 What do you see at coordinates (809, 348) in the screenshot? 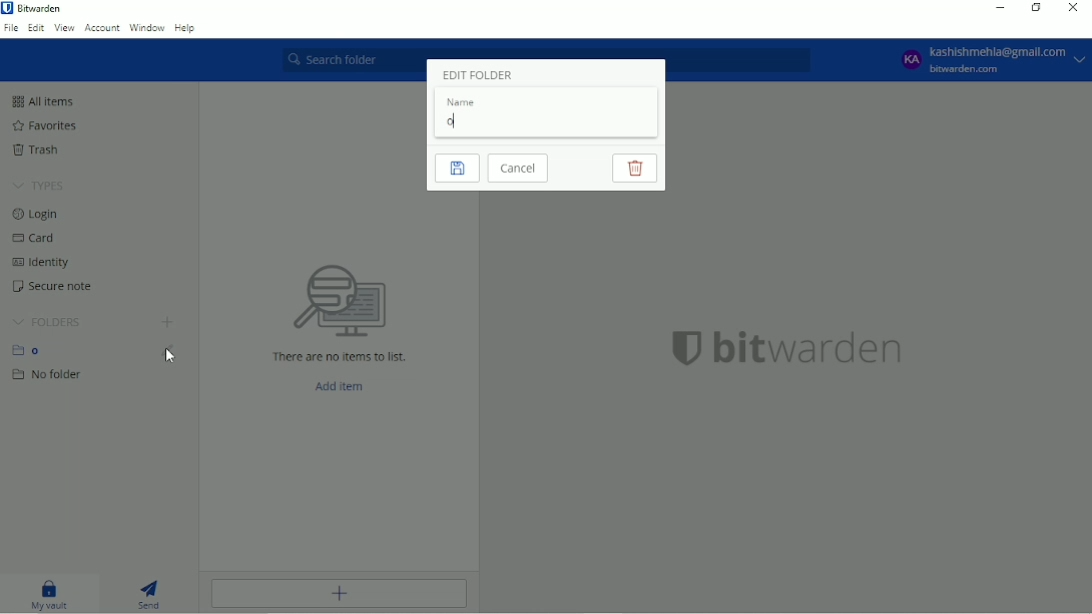
I see `bitwarden` at bounding box center [809, 348].